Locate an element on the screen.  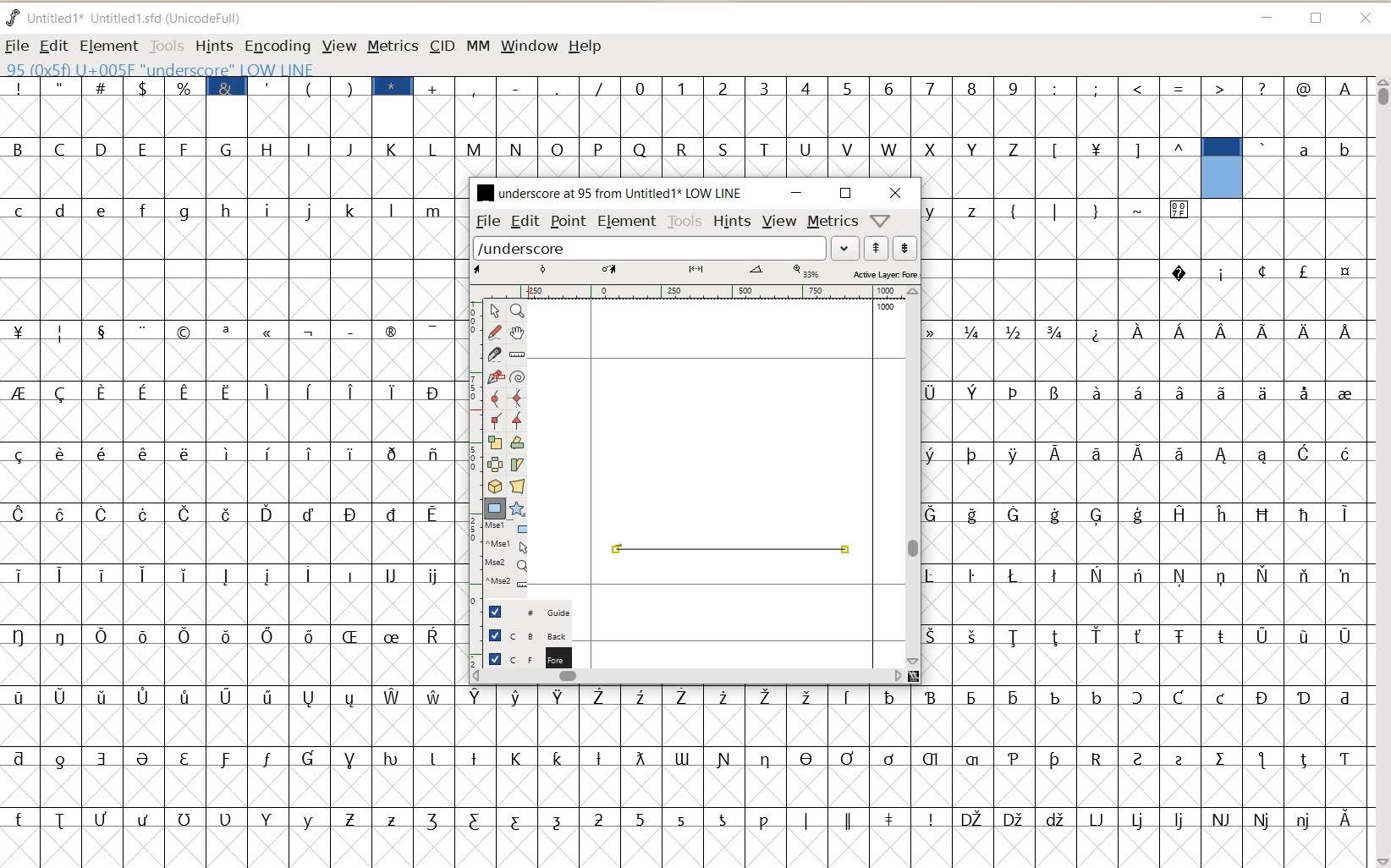
skew the selection is located at coordinates (516, 465).